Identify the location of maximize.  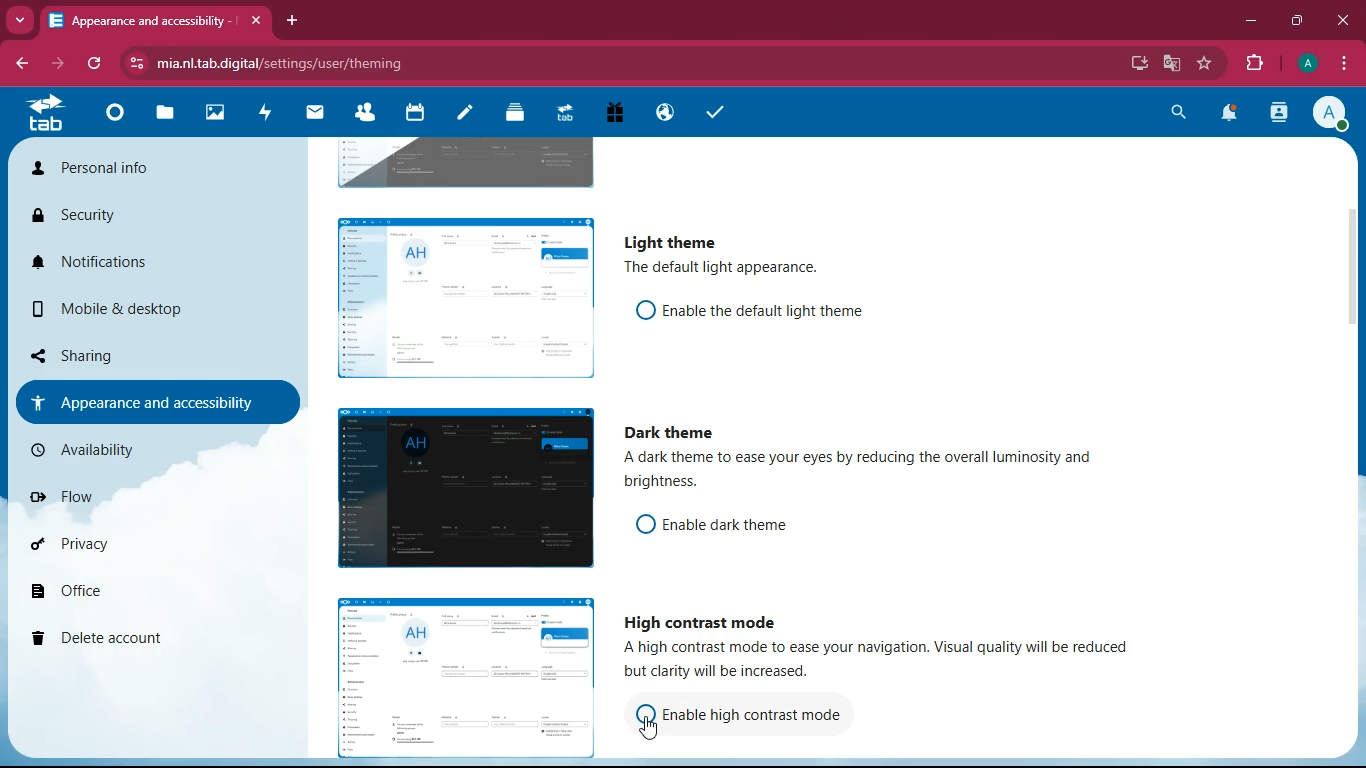
(1298, 22).